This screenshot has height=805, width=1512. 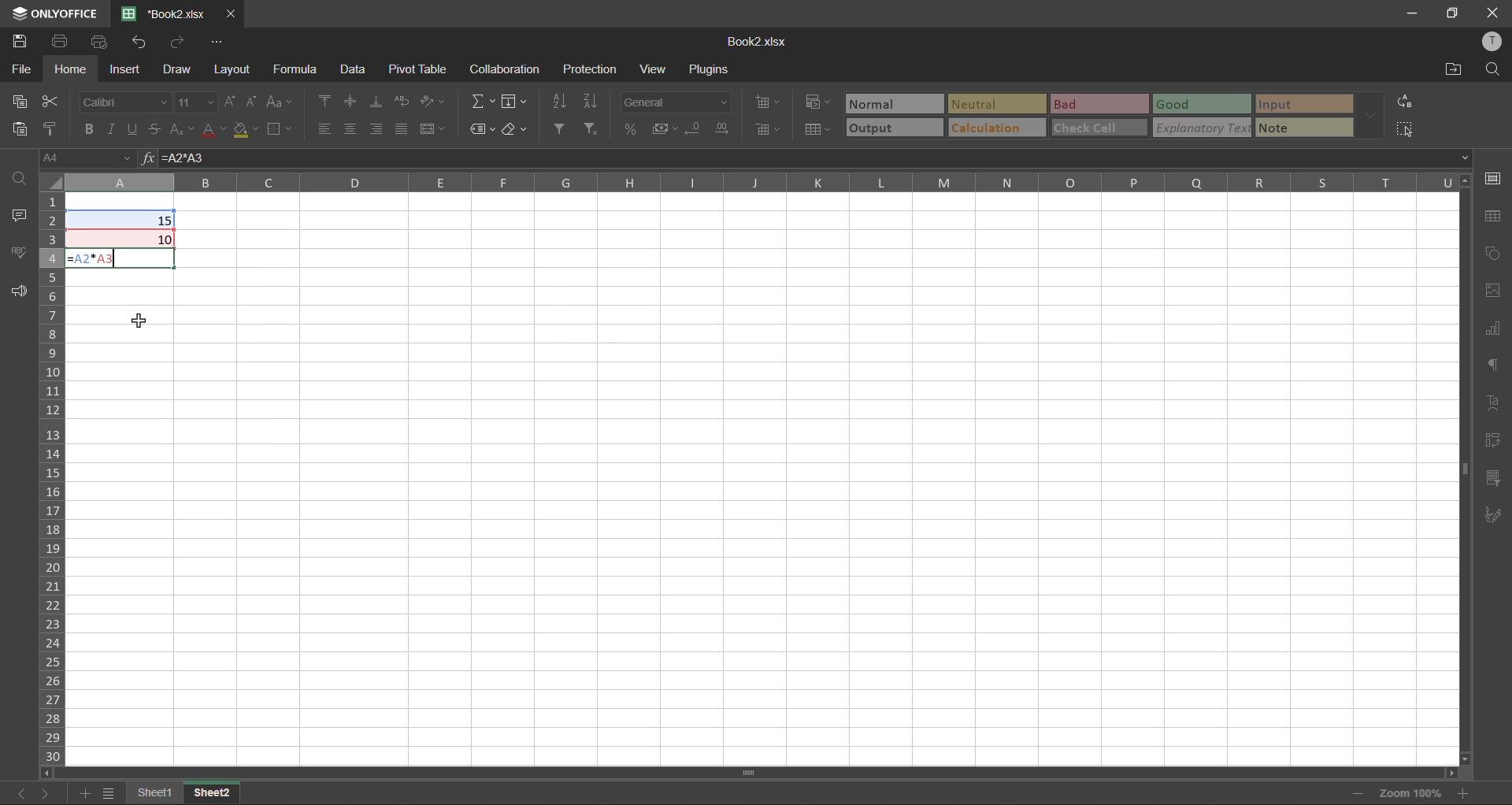 I want to click on cursor, so click(x=139, y=319).